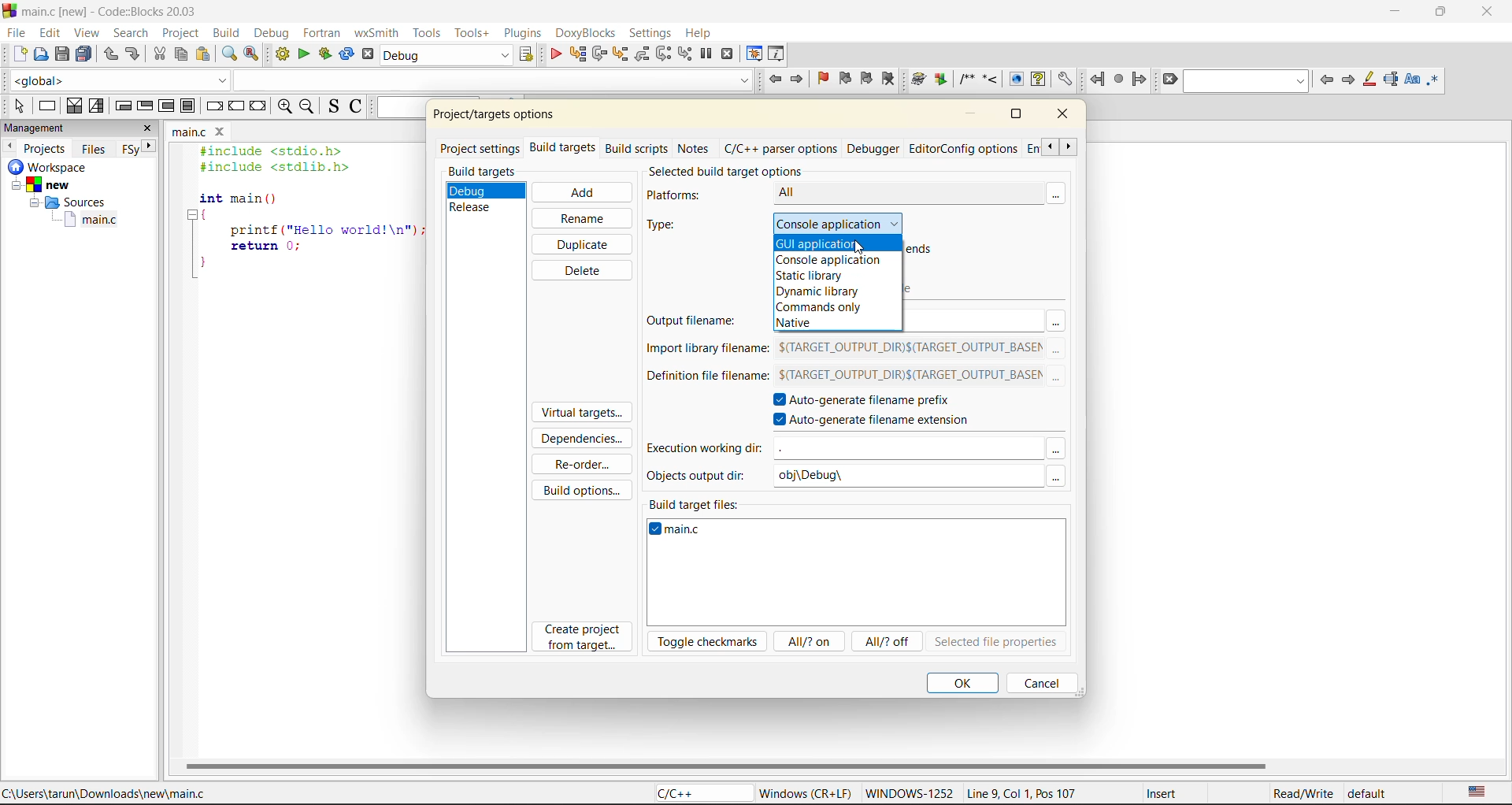 The width and height of the screenshot is (1512, 805). Describe the element at coordinates (846, 79) in the screenshot. I see `previous bookmark` at that location.